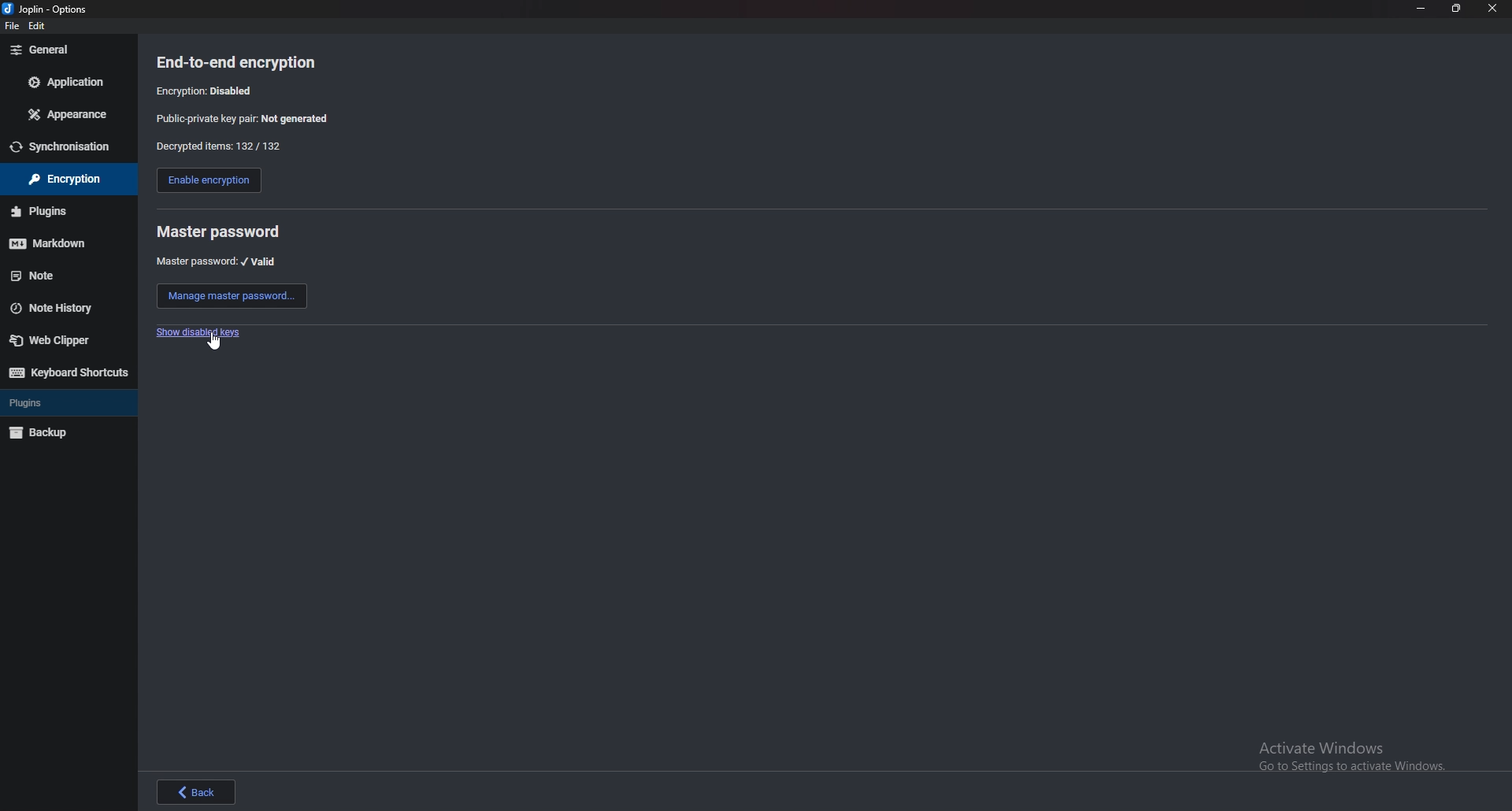 The width and height of the screenshot is (1512, 811). What do you see at coordinates (68, 179) in the screenshot?
I see `encryption` at bounding box center [68, 179].